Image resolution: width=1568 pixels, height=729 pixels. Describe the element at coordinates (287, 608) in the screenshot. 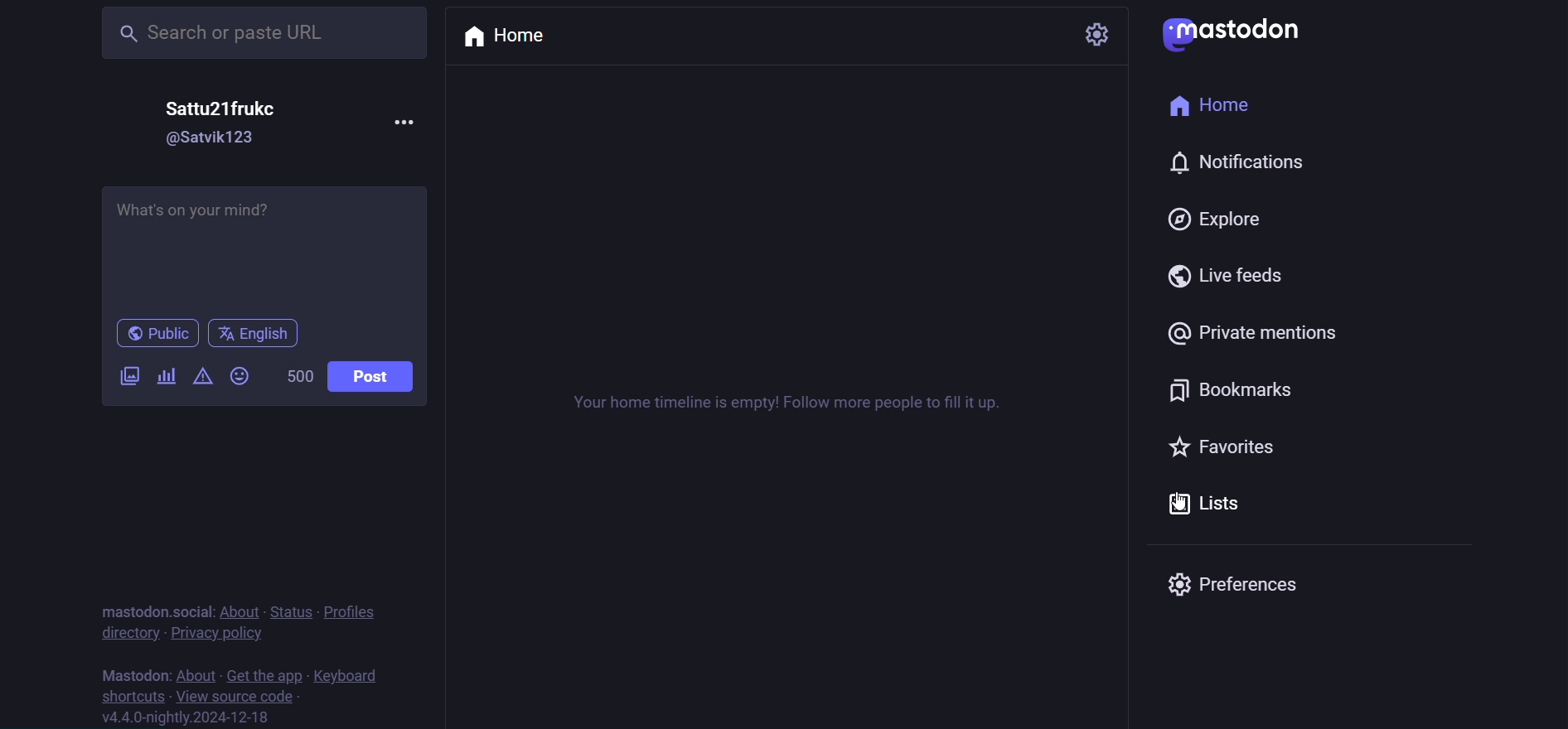

I see `status` at that location.